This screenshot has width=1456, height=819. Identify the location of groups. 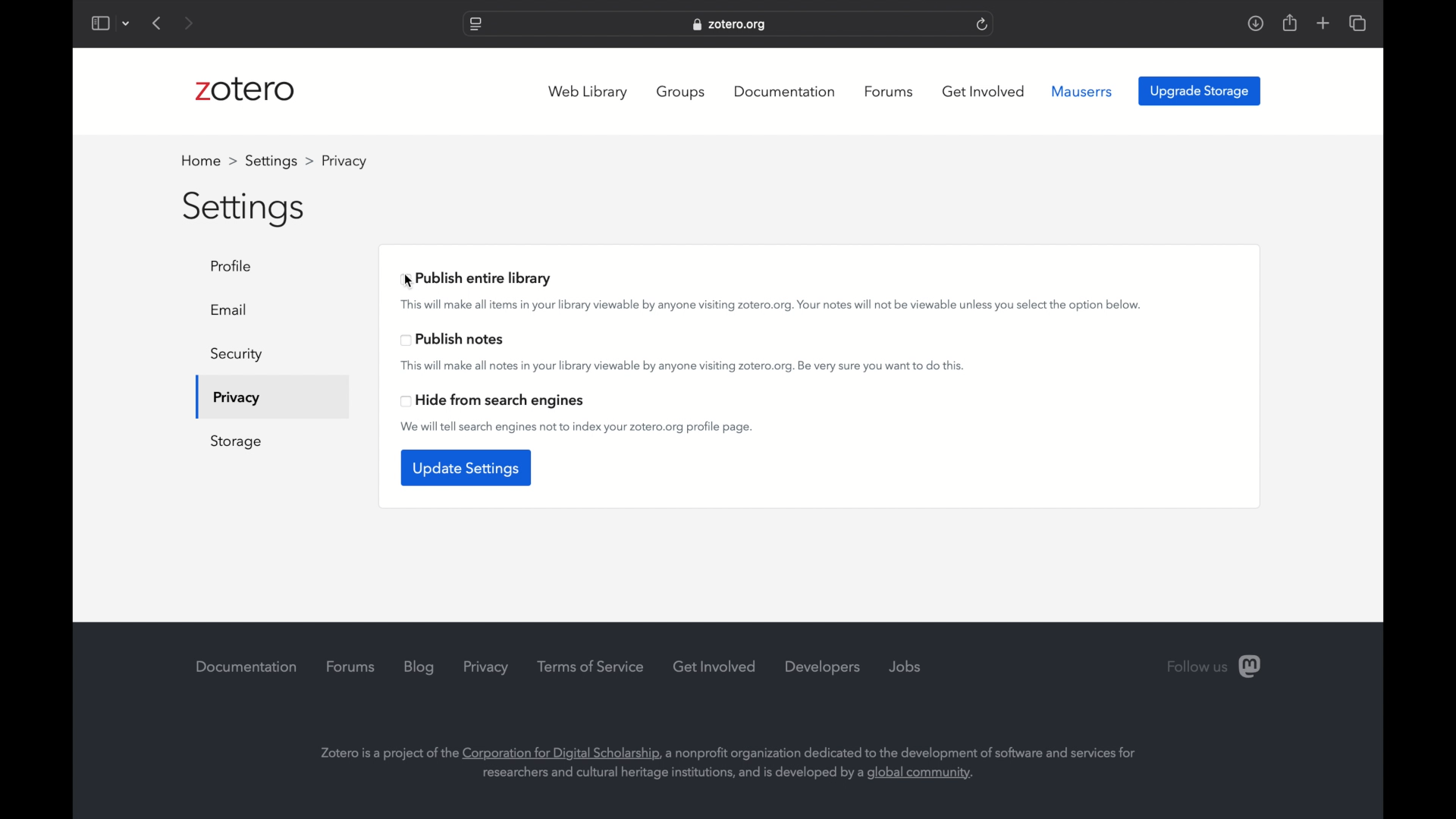
(684, 93).